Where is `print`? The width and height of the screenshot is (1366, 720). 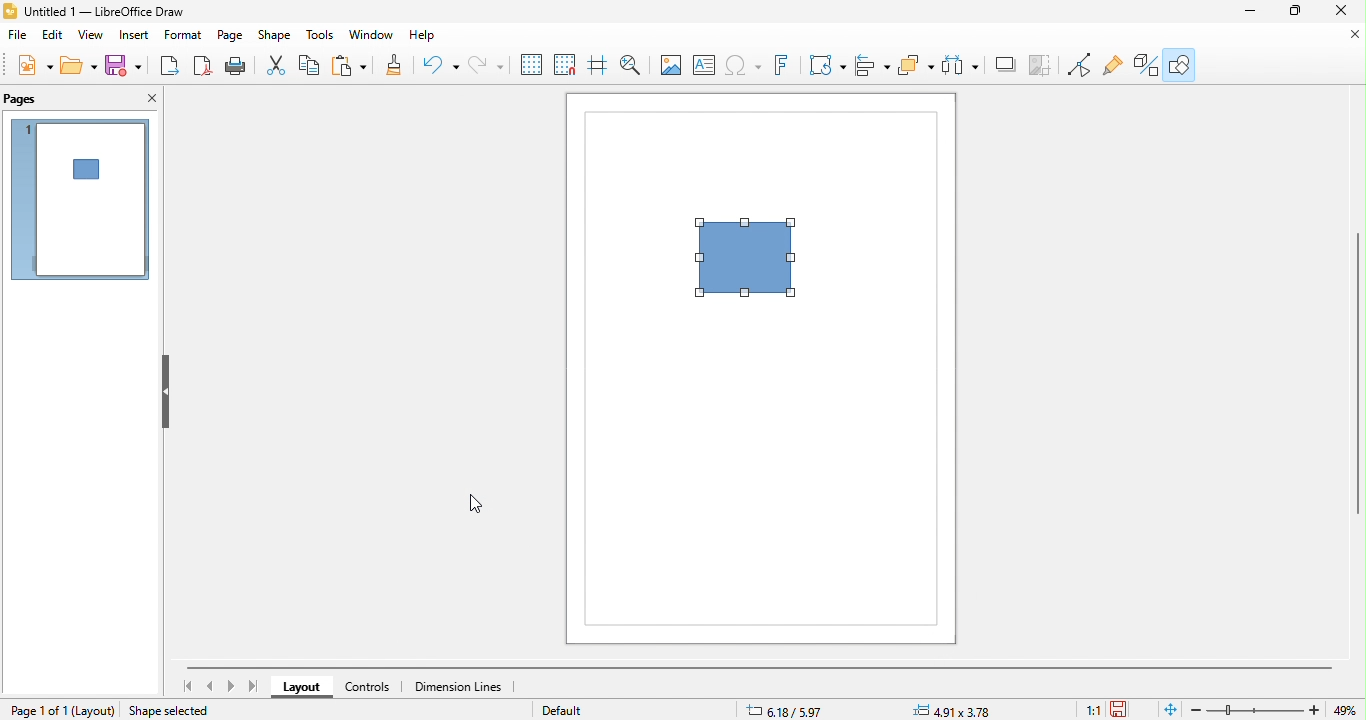 print is located at coordinates (235, 66).